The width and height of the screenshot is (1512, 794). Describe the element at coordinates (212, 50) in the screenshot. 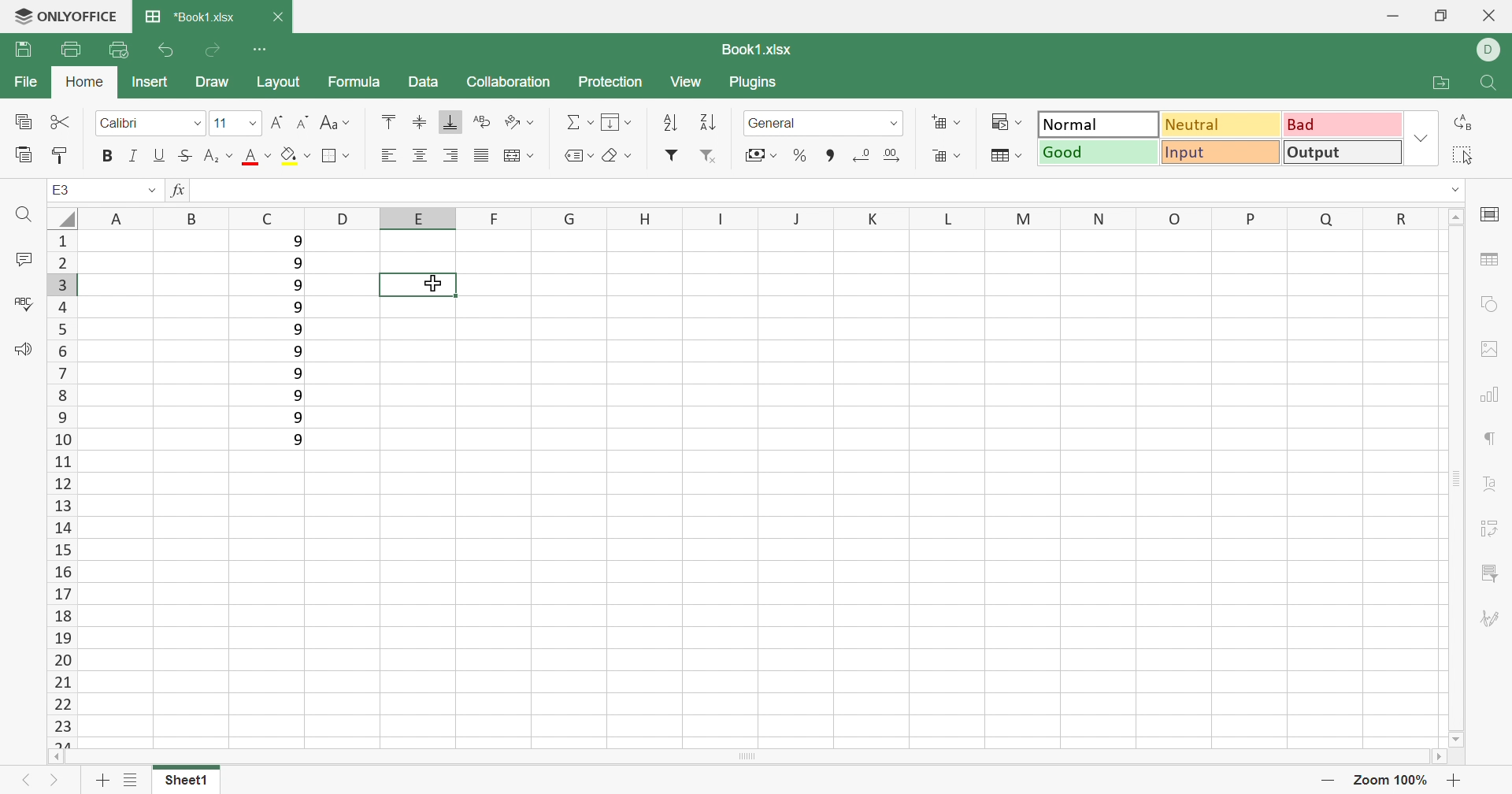

I see `Redo` at that location.